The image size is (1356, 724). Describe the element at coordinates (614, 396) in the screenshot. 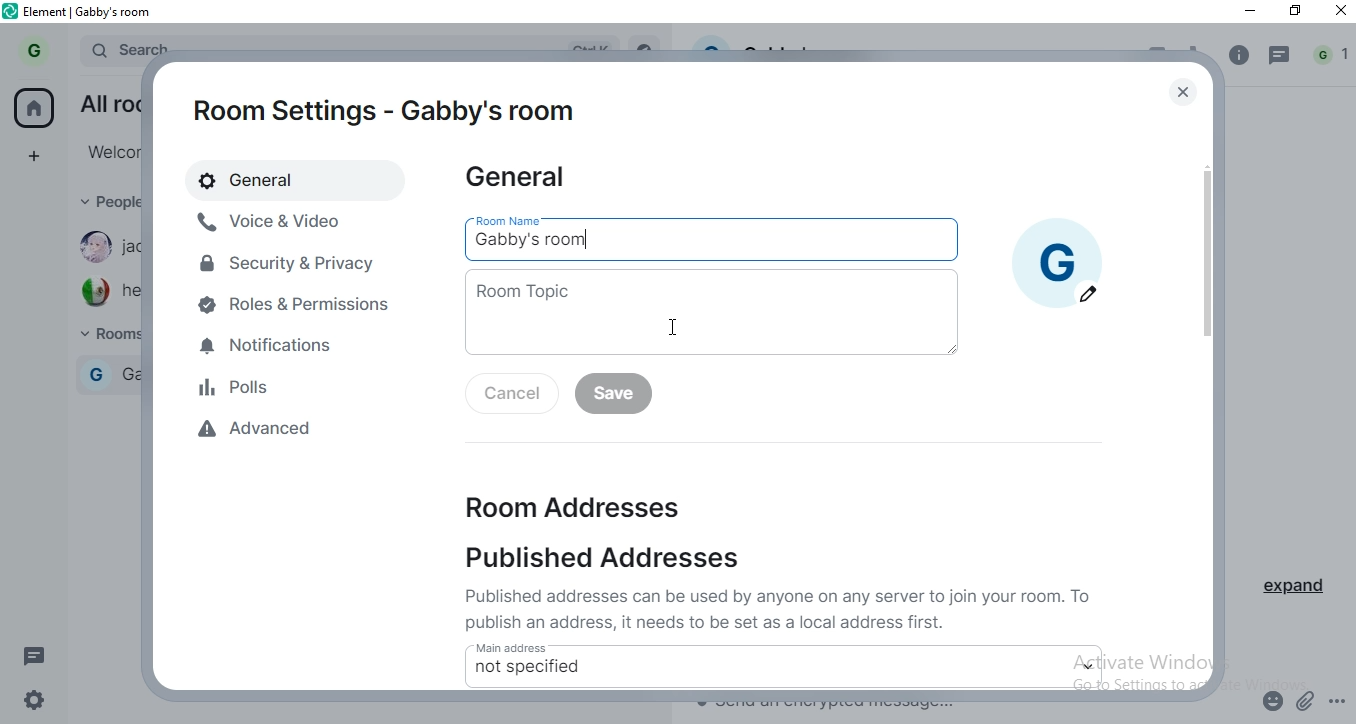

I see `save` at that location.